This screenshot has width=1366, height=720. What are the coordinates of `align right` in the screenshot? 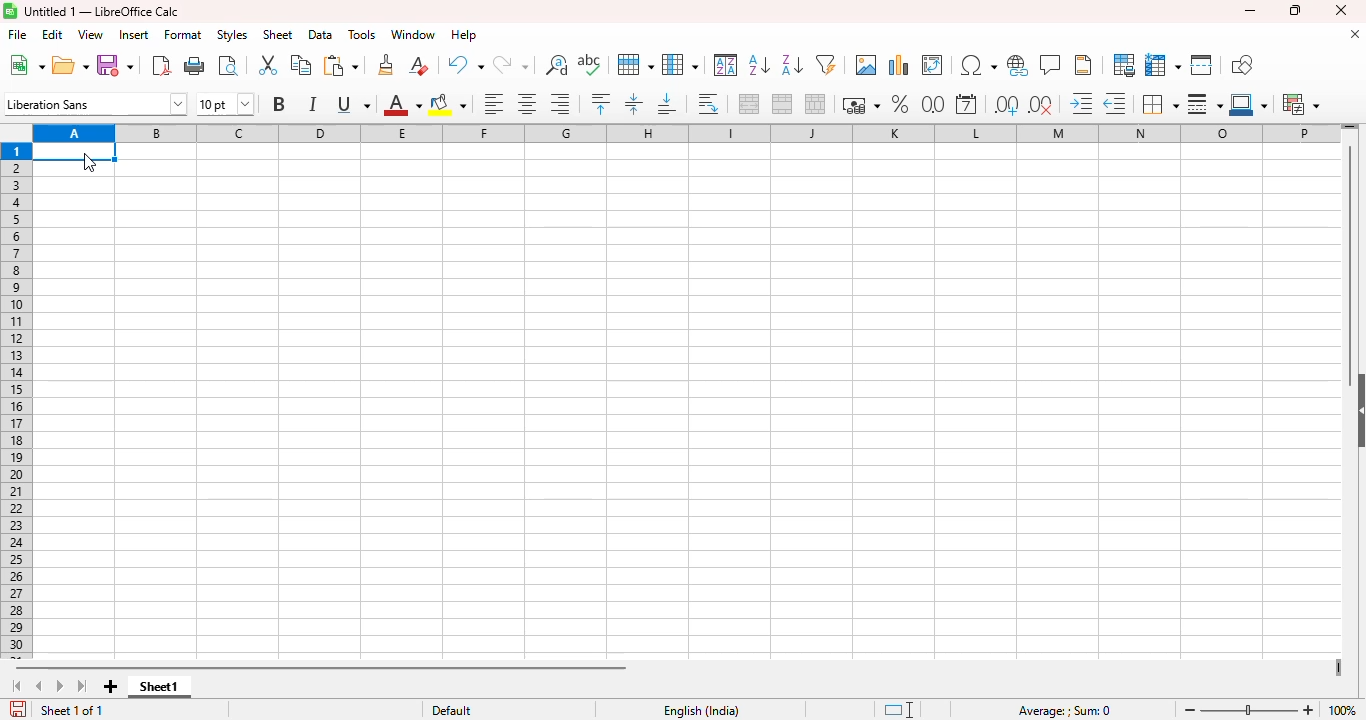 It's located at (561, 104).